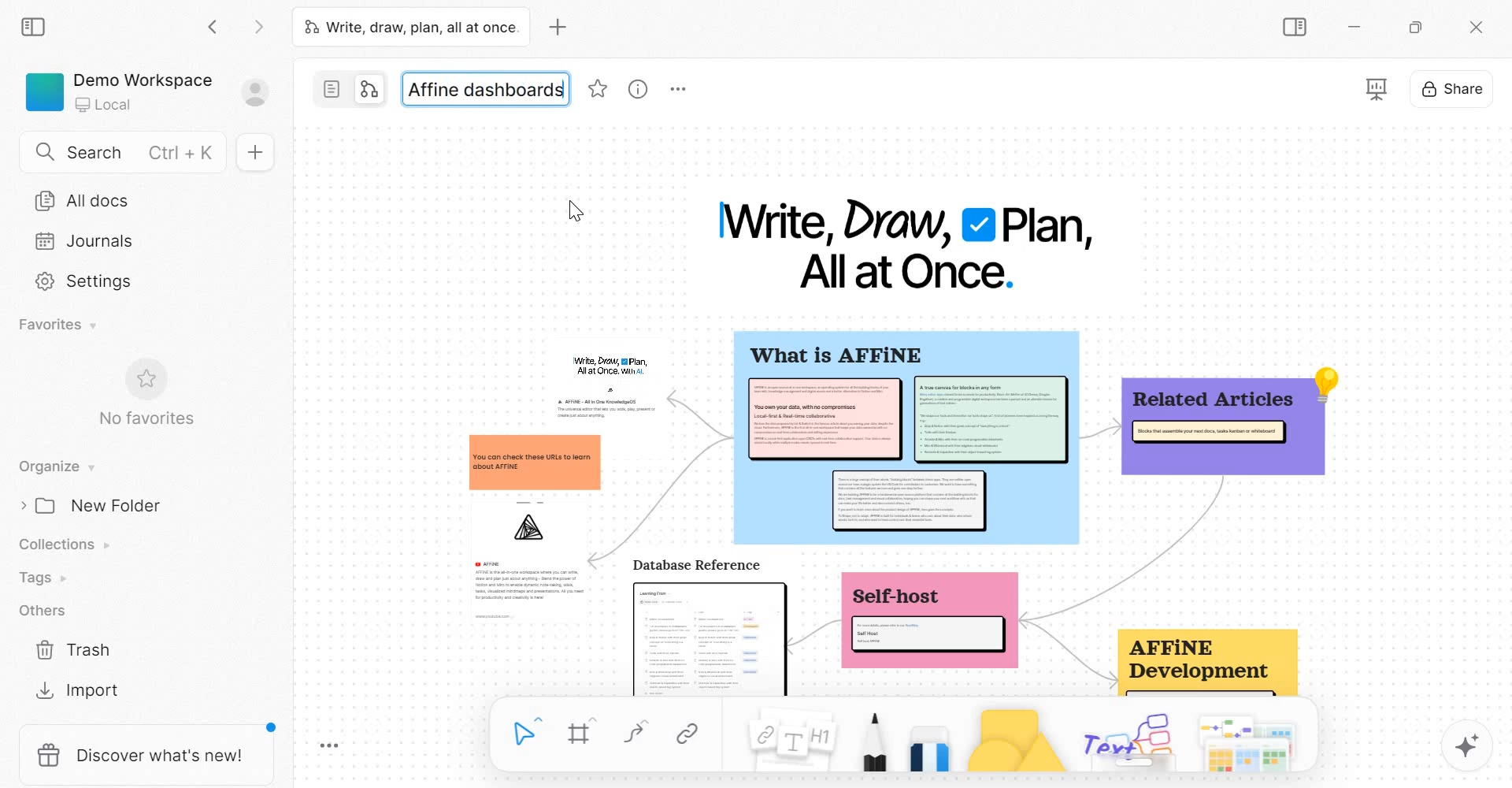 Image resolution: width=1512 pixels, height=788 pixels. I want to click on Go back, so click(217, 30).